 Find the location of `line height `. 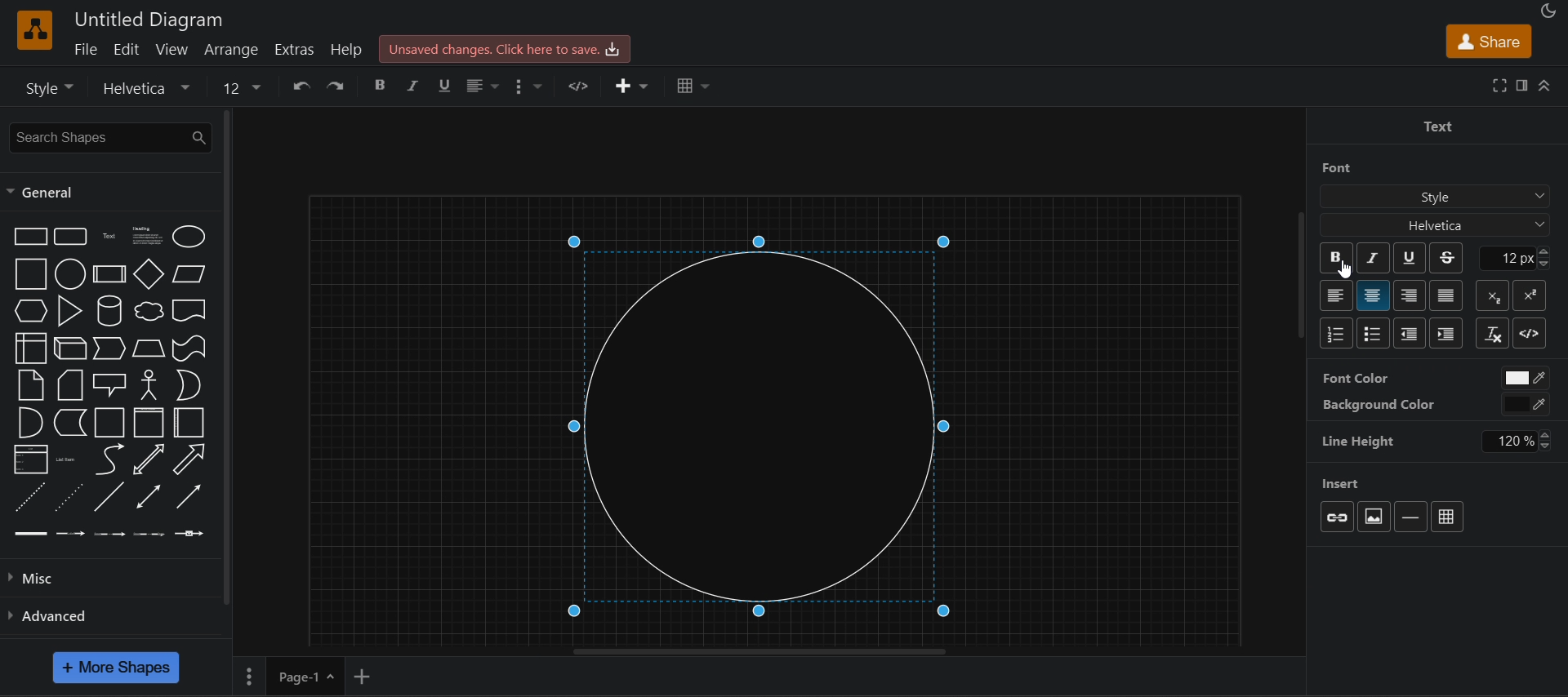

line height  is located at coordinates (1369, 445).